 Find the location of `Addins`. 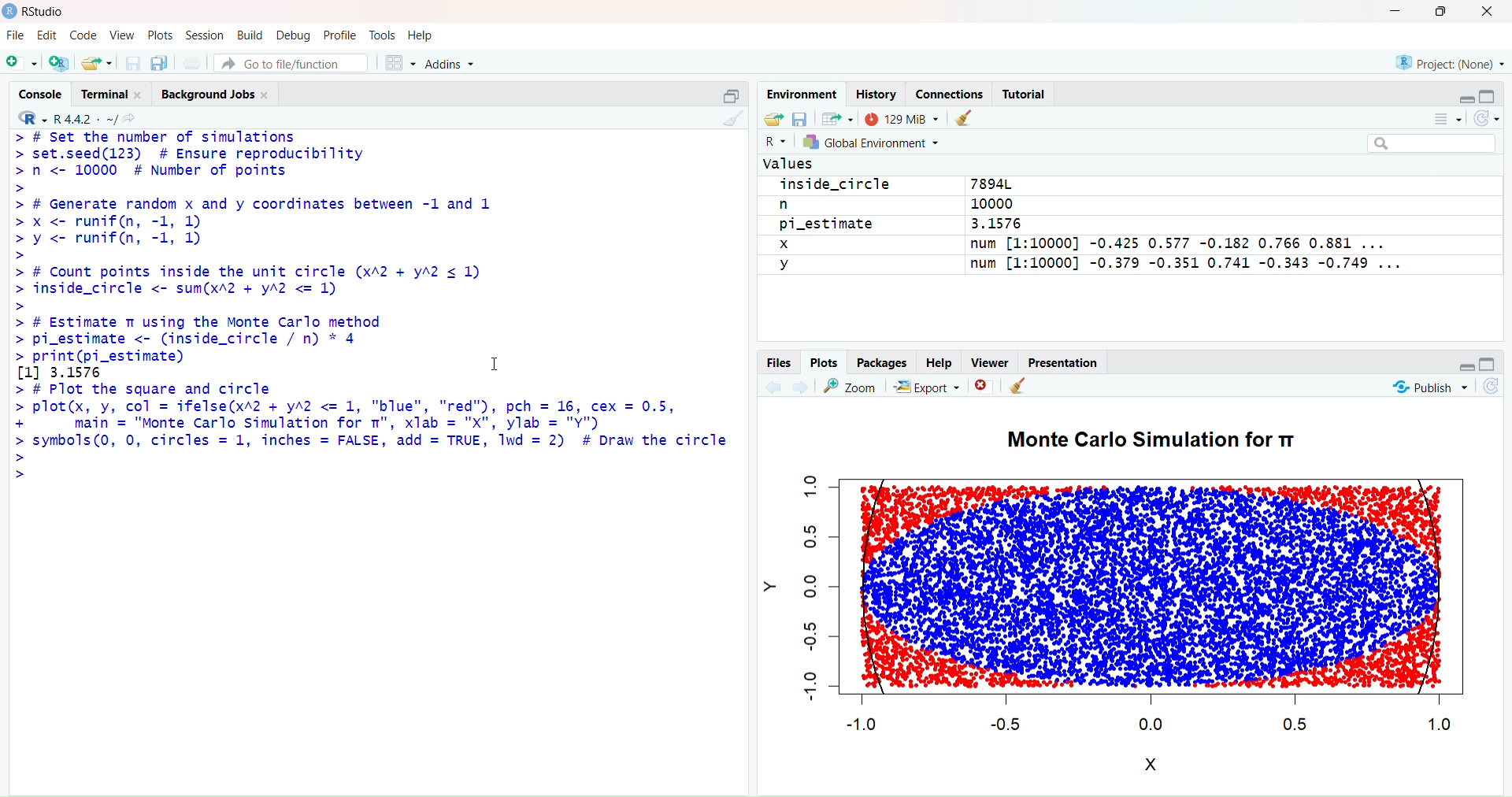

Addins is located at coordinates (452, 61).